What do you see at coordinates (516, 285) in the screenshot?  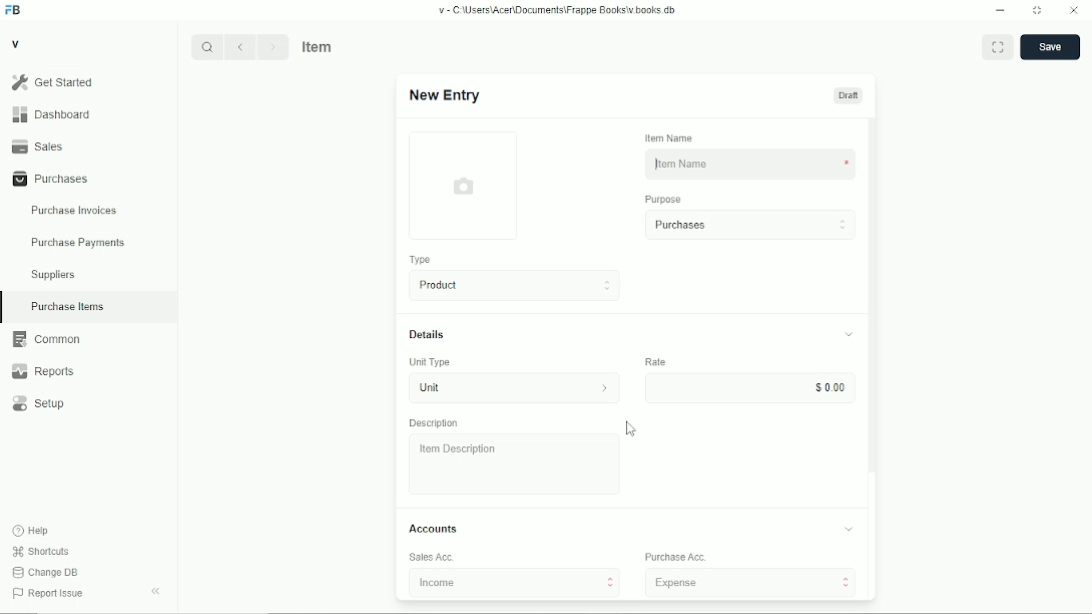 I see `product` at bounding box center [516, 285].